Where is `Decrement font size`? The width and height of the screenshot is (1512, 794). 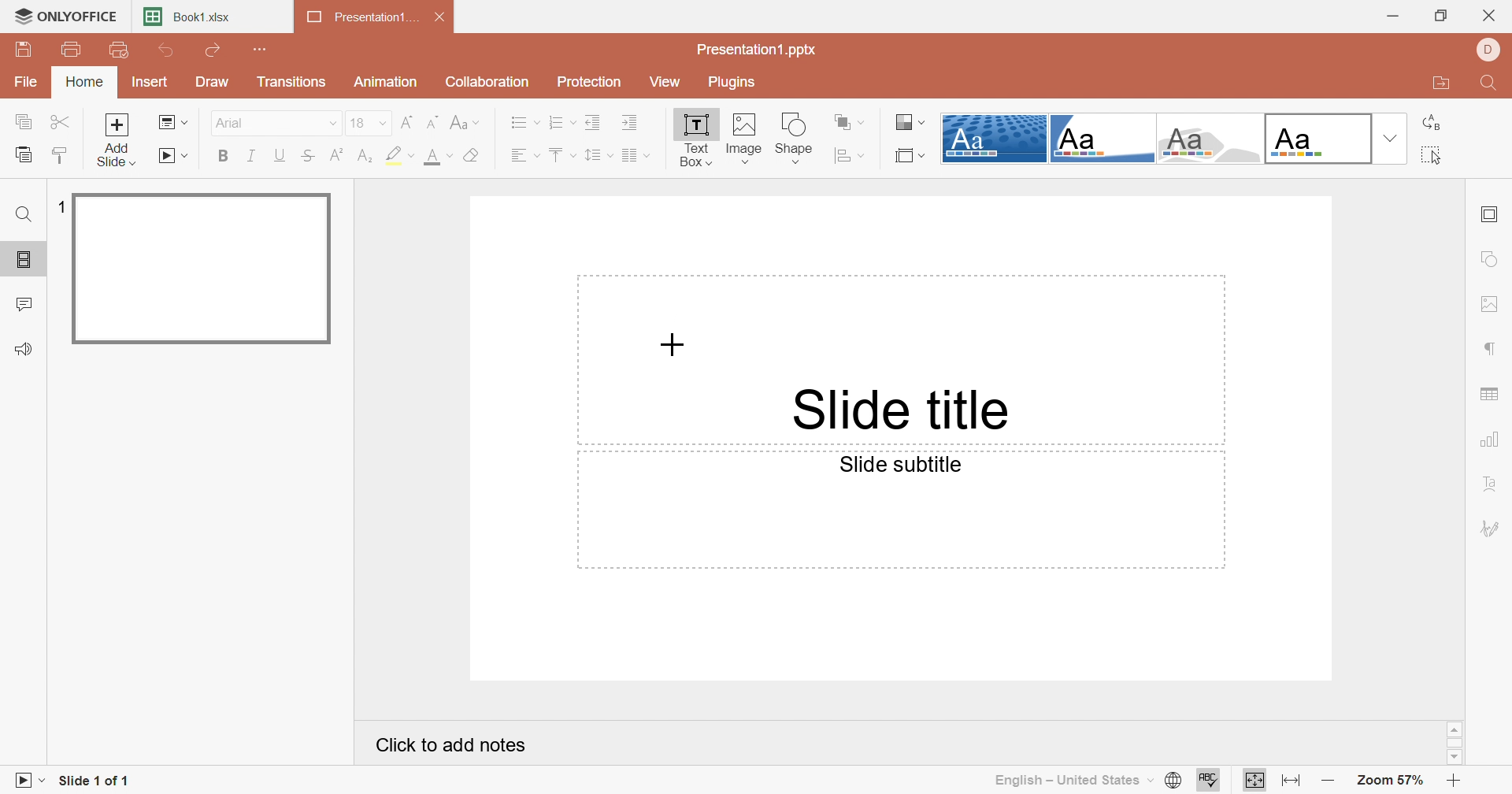 Decrement font size is located at coordinates (432, 121).